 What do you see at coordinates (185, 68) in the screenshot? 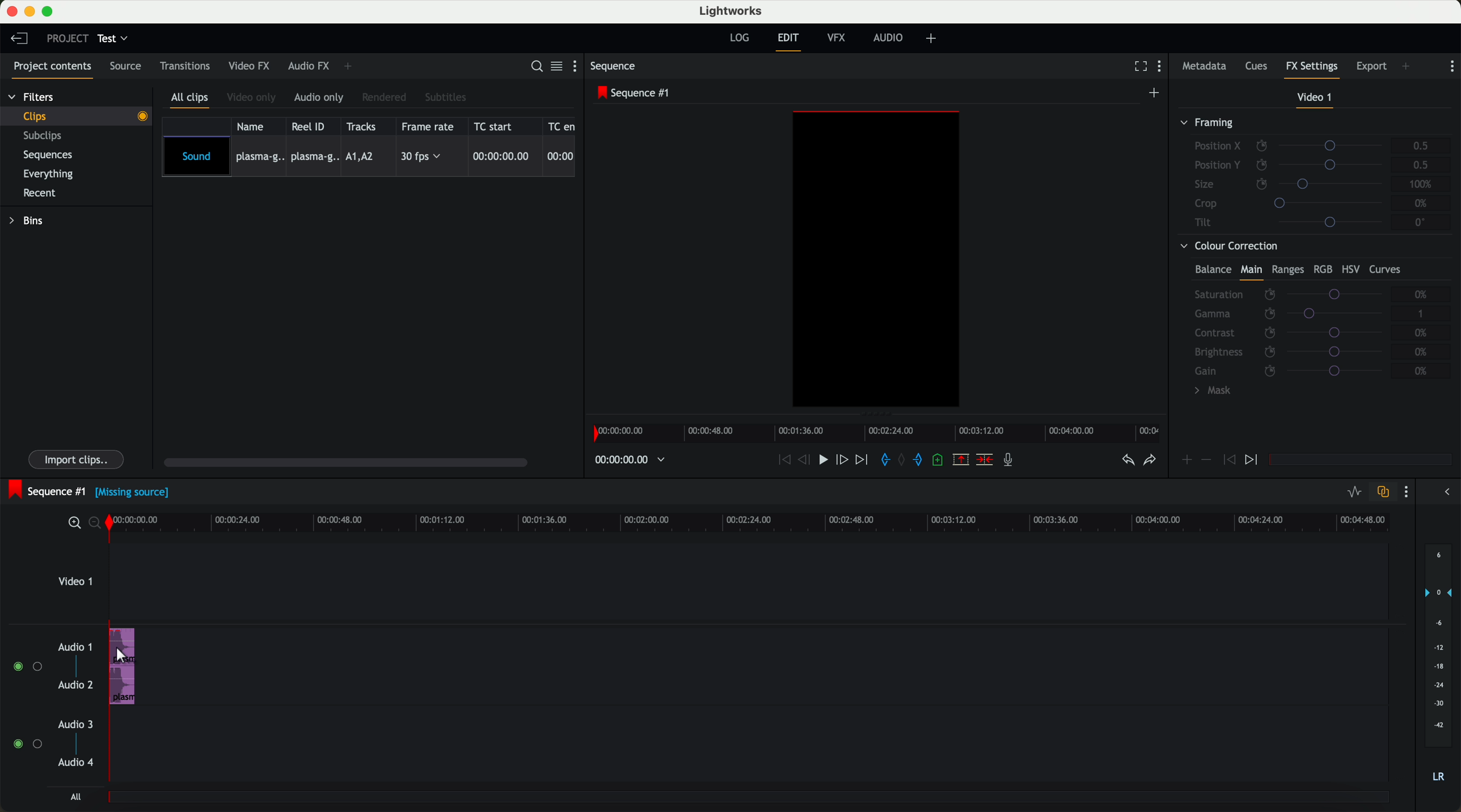
I see `transitions` at bounding box center [185, 68].